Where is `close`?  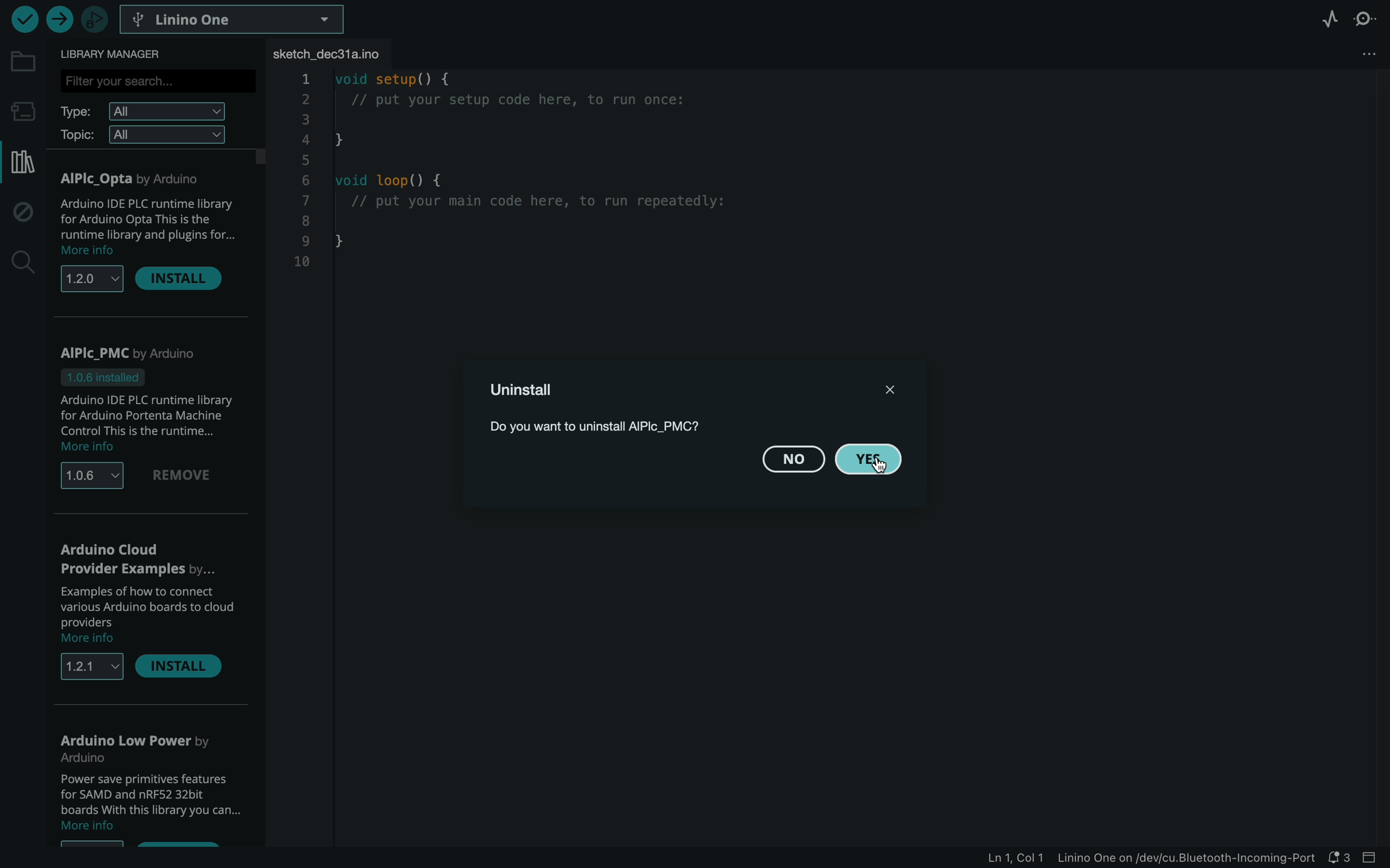
close is located at coordinates (891, 388).